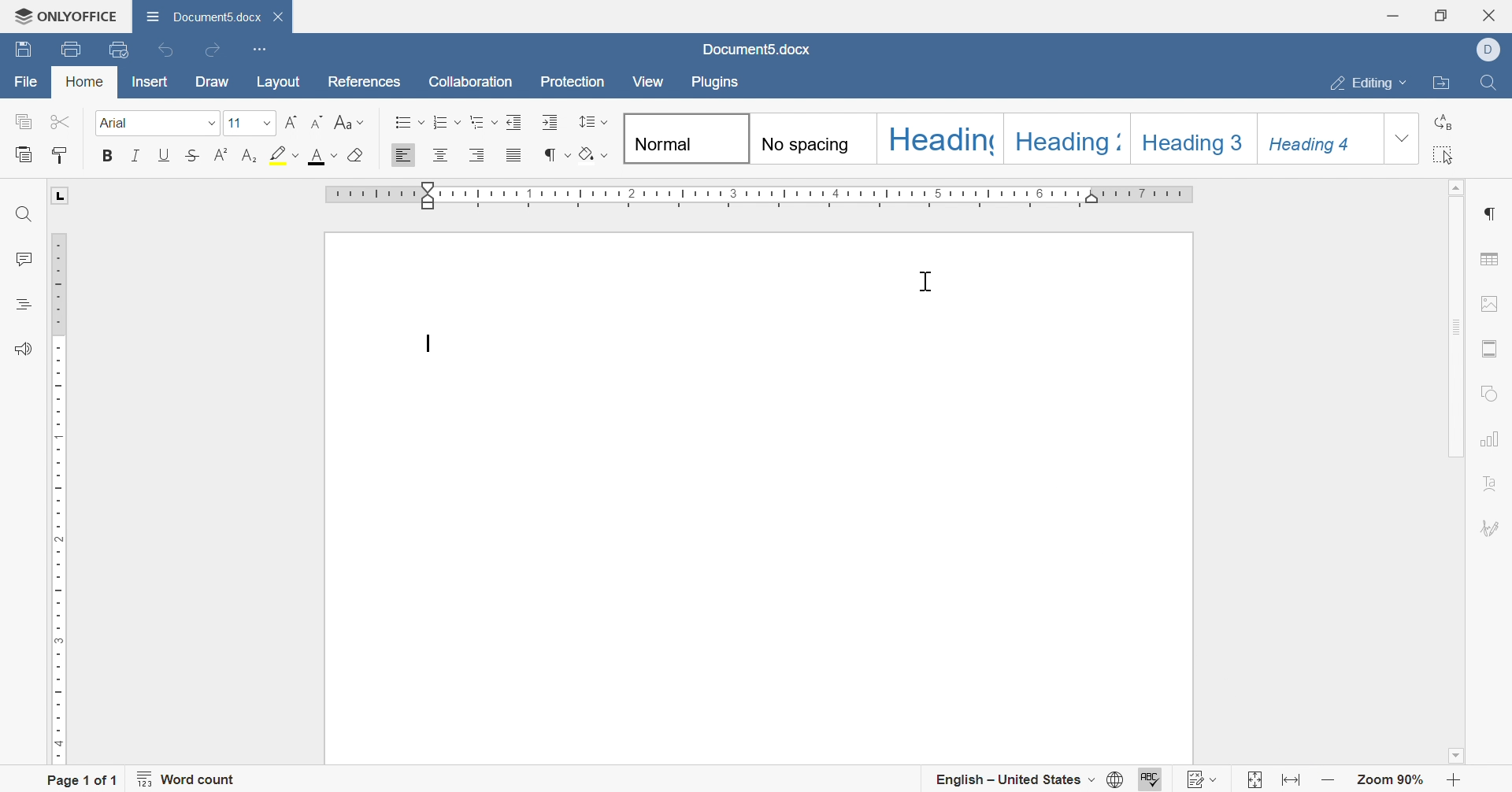 The image size is (1512, 792). What do you see at coordinates (347, 120) in the screenshot?
I see `change case` at bounding box center [347, 120].